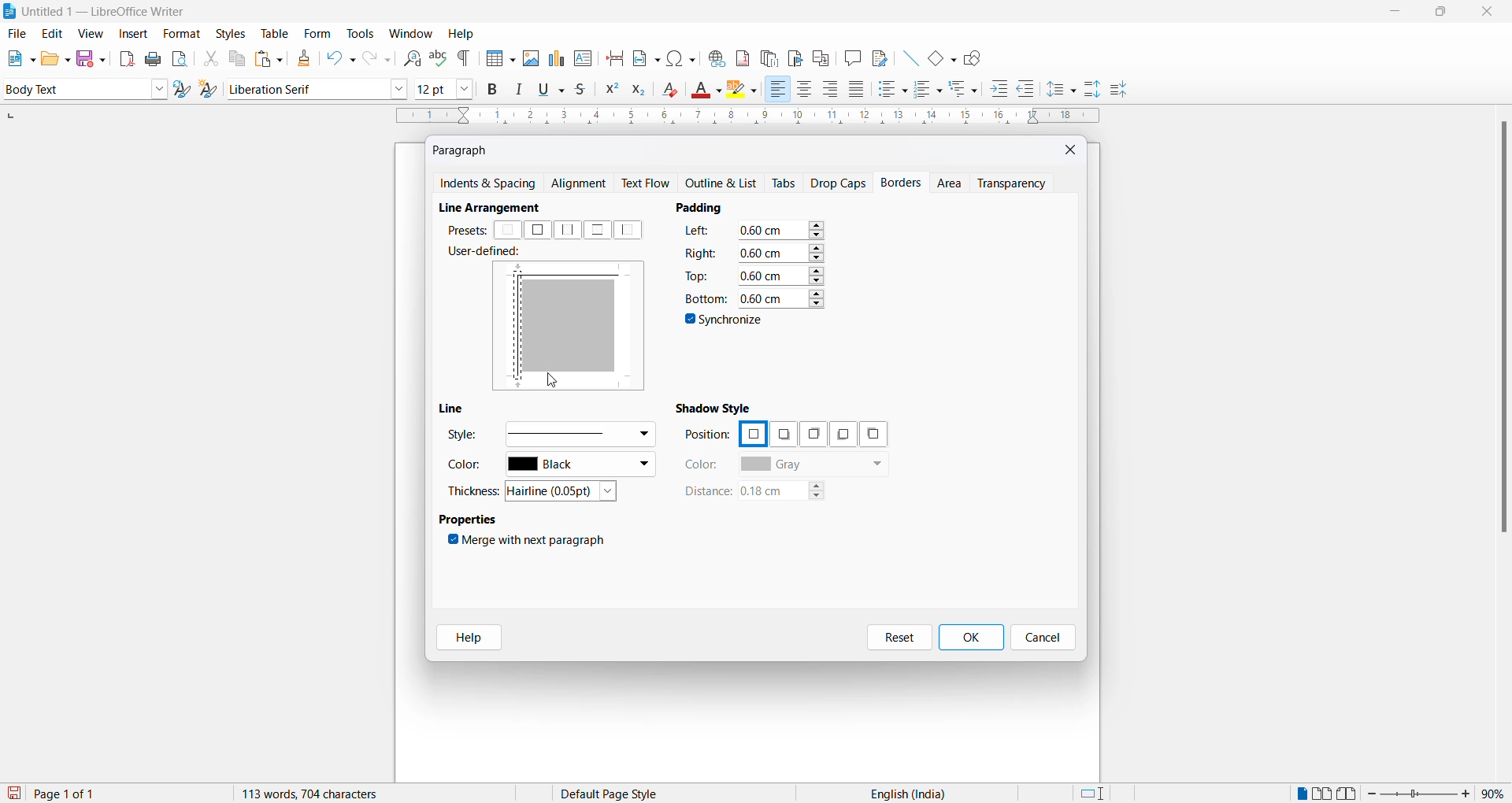 This screenshot has height=803, width=1512. Describe the element at coordinates (464, 150) in the screenshot. I see `paragraph dialog box` at that location.